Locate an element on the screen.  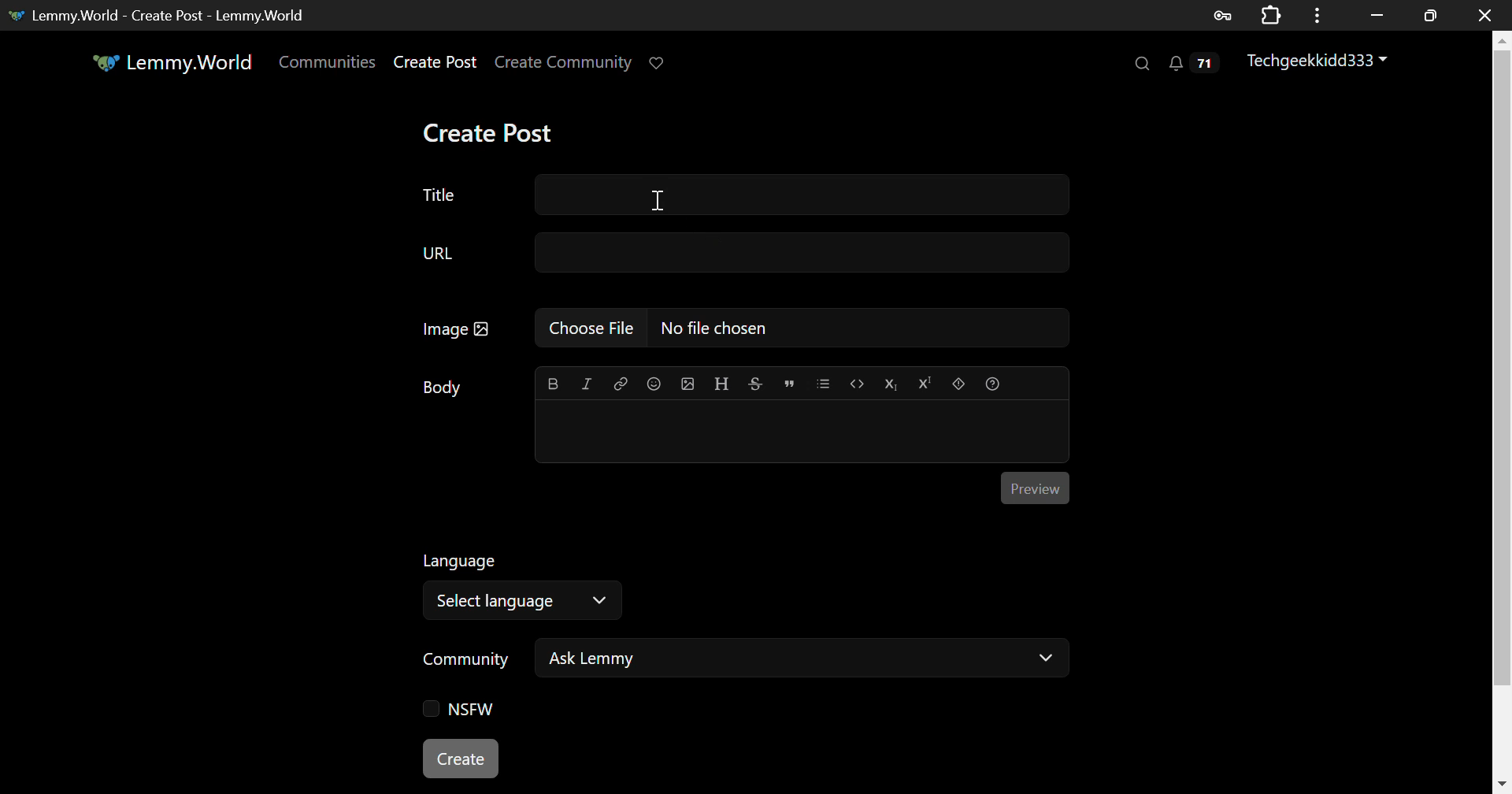
Create Post is located at coordinates (487, 132).